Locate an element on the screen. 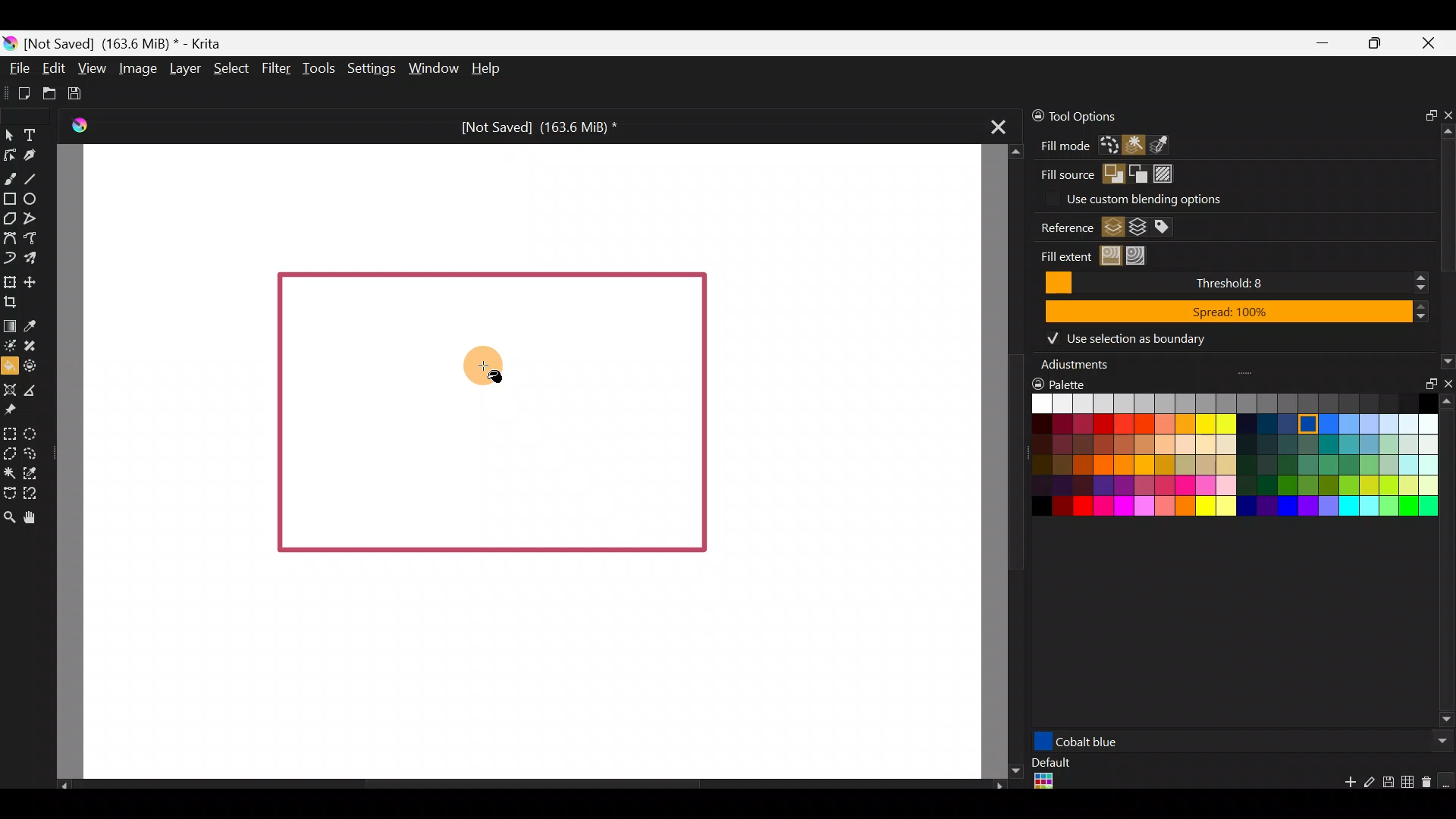 The width and height of the screenshot is (1456, 819). Open an existing document is located at coordinates (49, 91).